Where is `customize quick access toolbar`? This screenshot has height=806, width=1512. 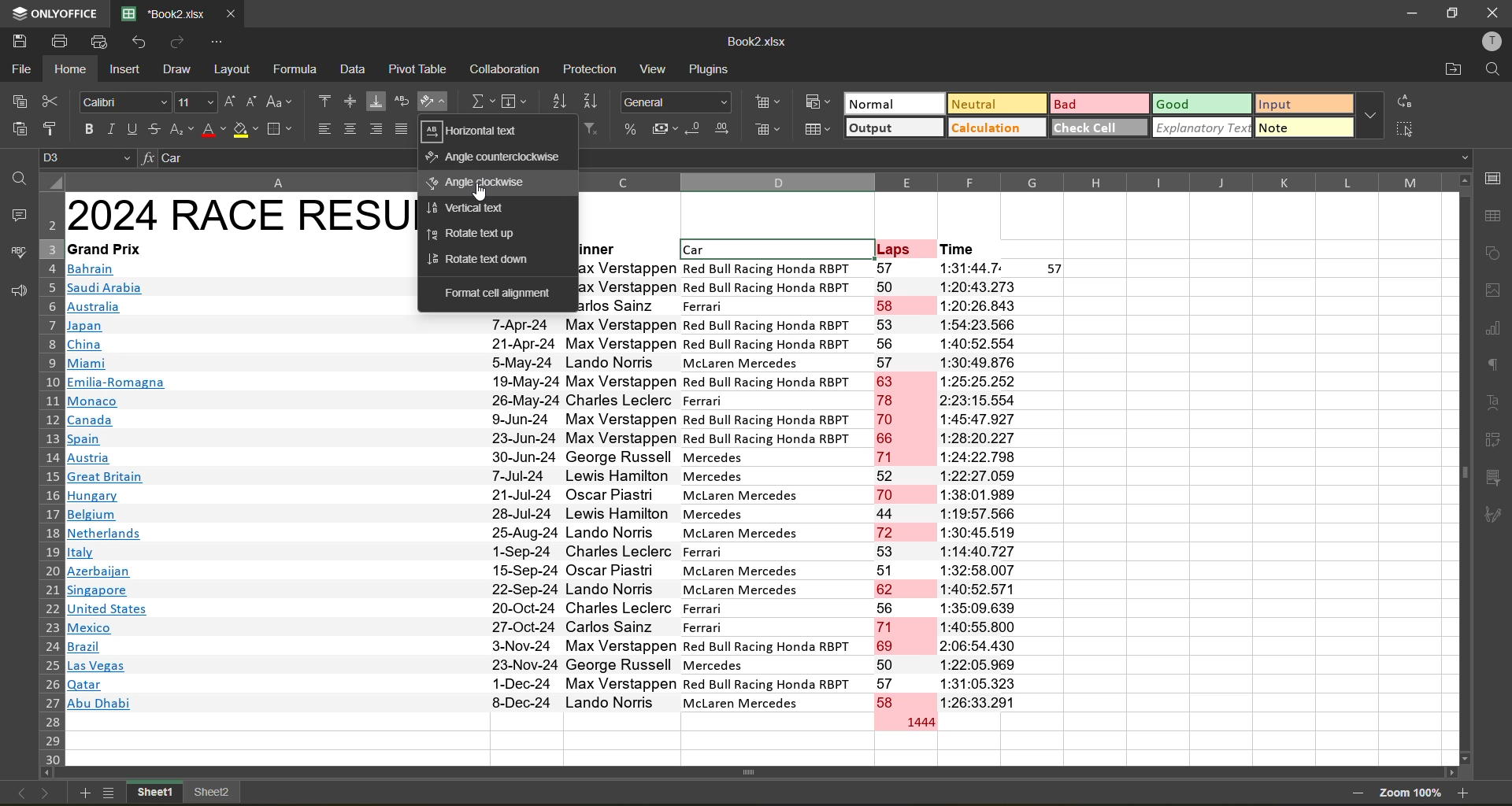 customize quick access toolbar is located at coordinates (211, 42).